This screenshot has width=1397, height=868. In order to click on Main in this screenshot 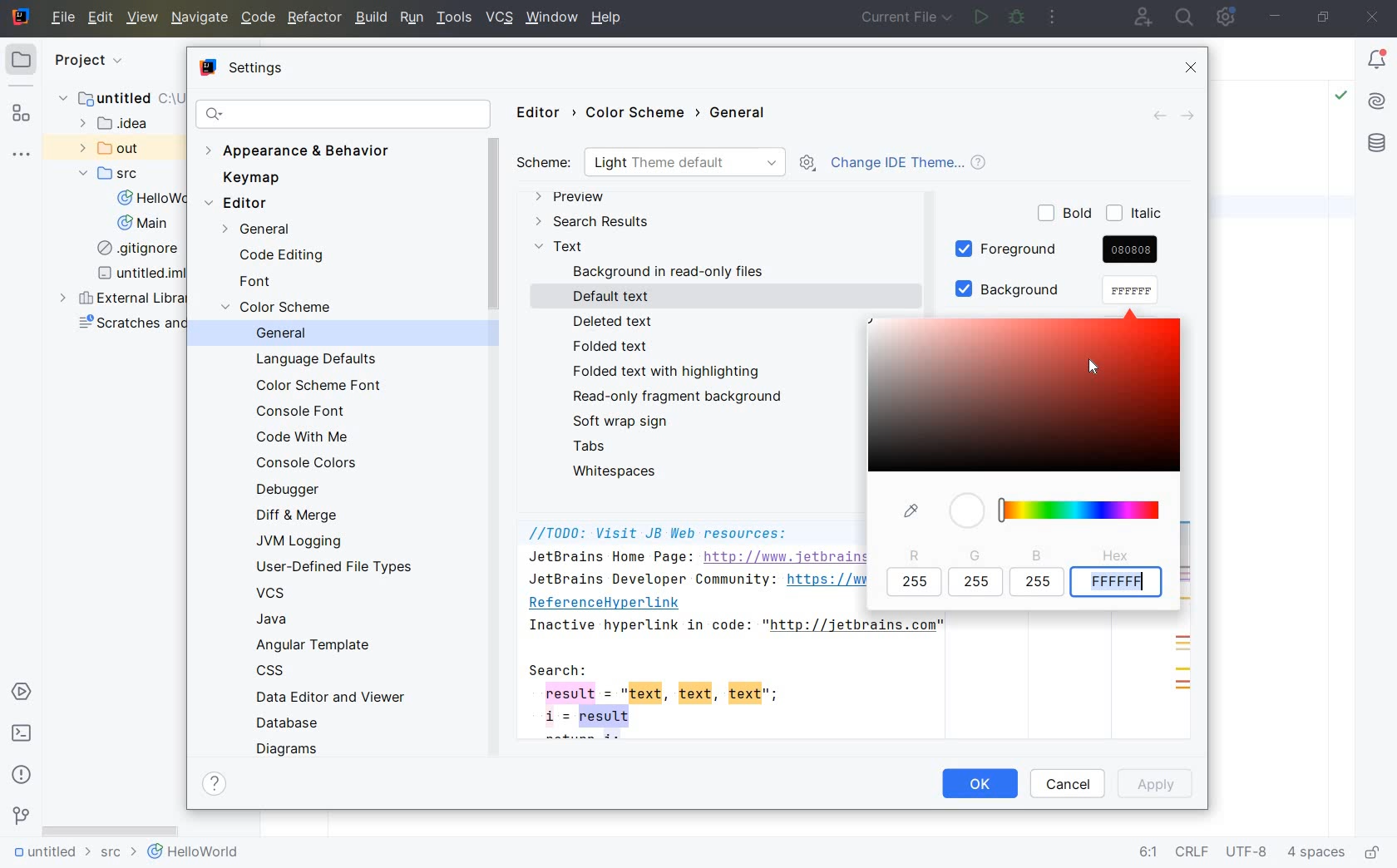, I will do `click(143, 225)`.